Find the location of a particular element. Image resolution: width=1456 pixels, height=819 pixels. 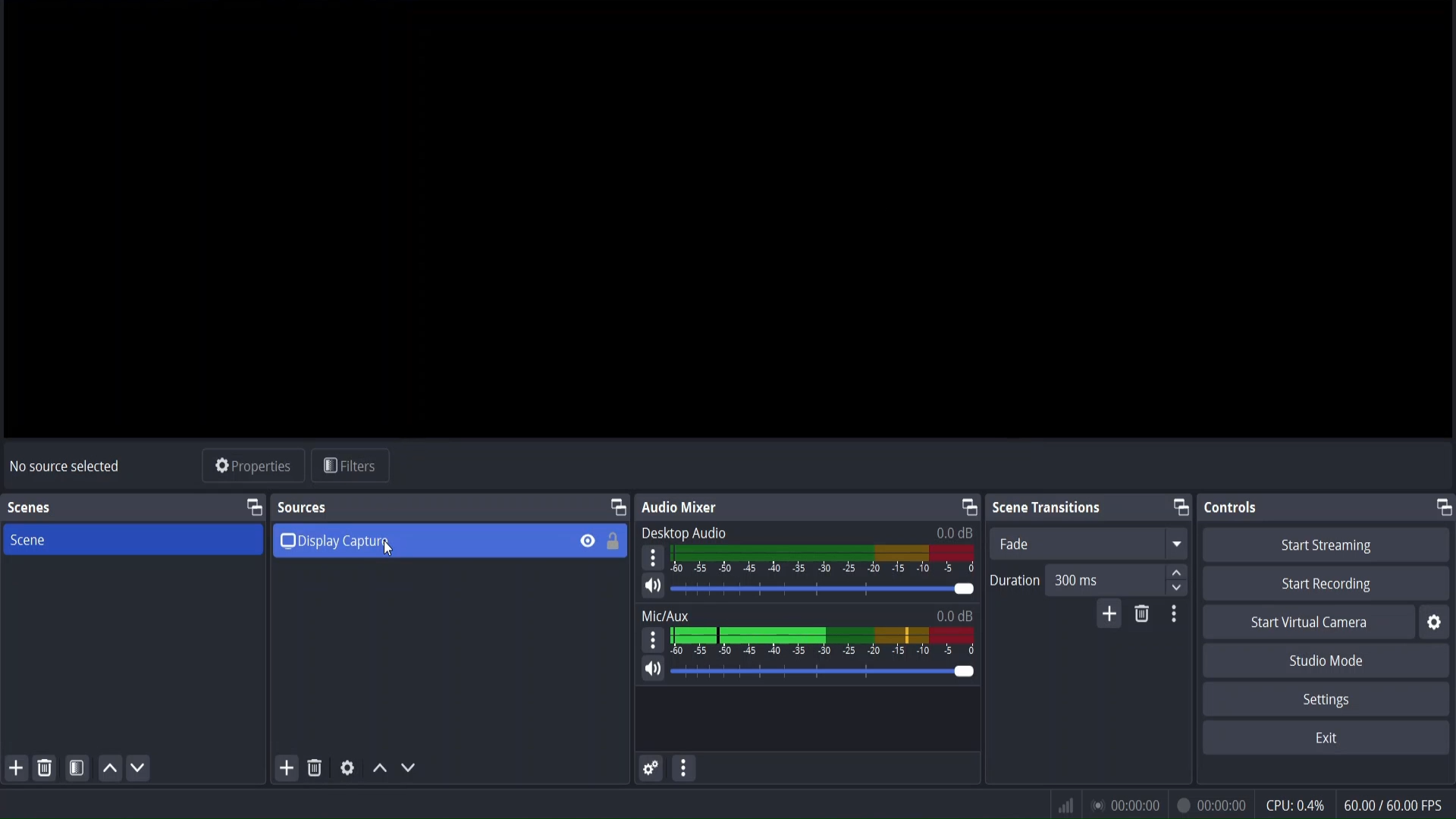

fps is located at coordinates (1395, 805).